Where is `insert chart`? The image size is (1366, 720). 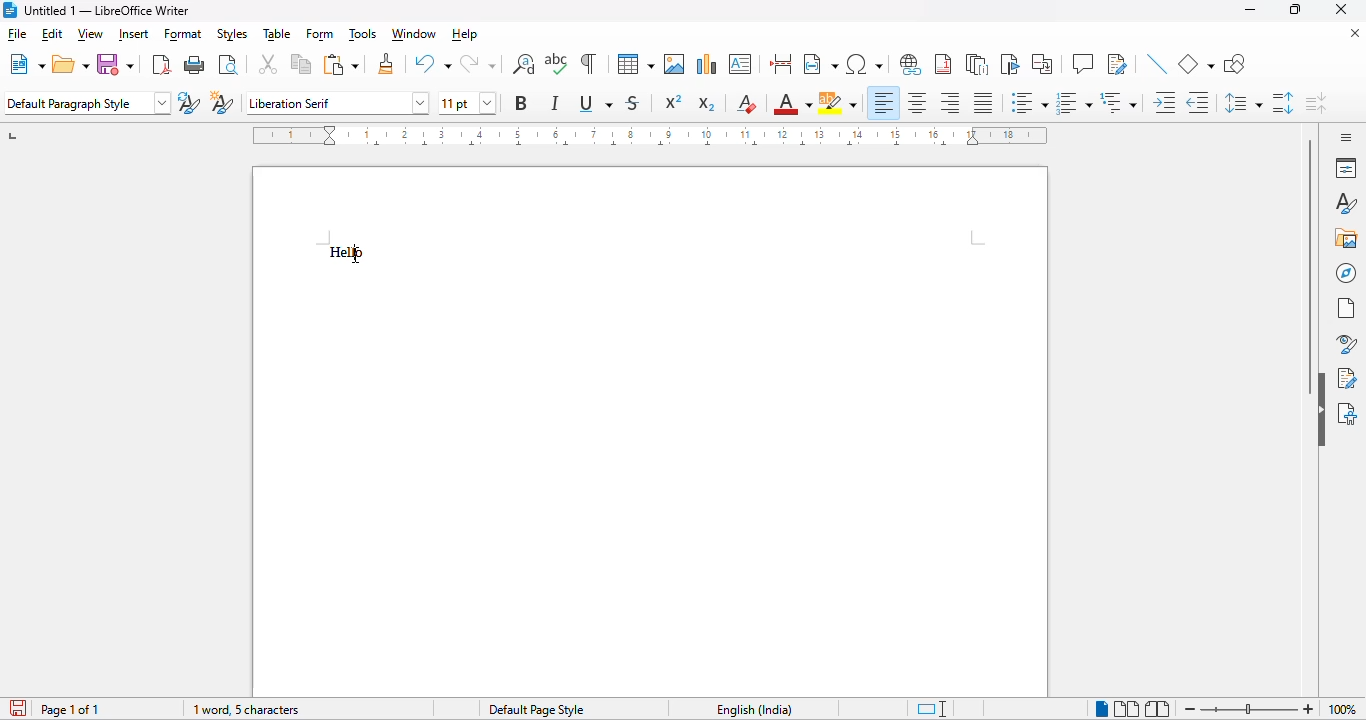
insert chart is located at coordinates (707, 64).